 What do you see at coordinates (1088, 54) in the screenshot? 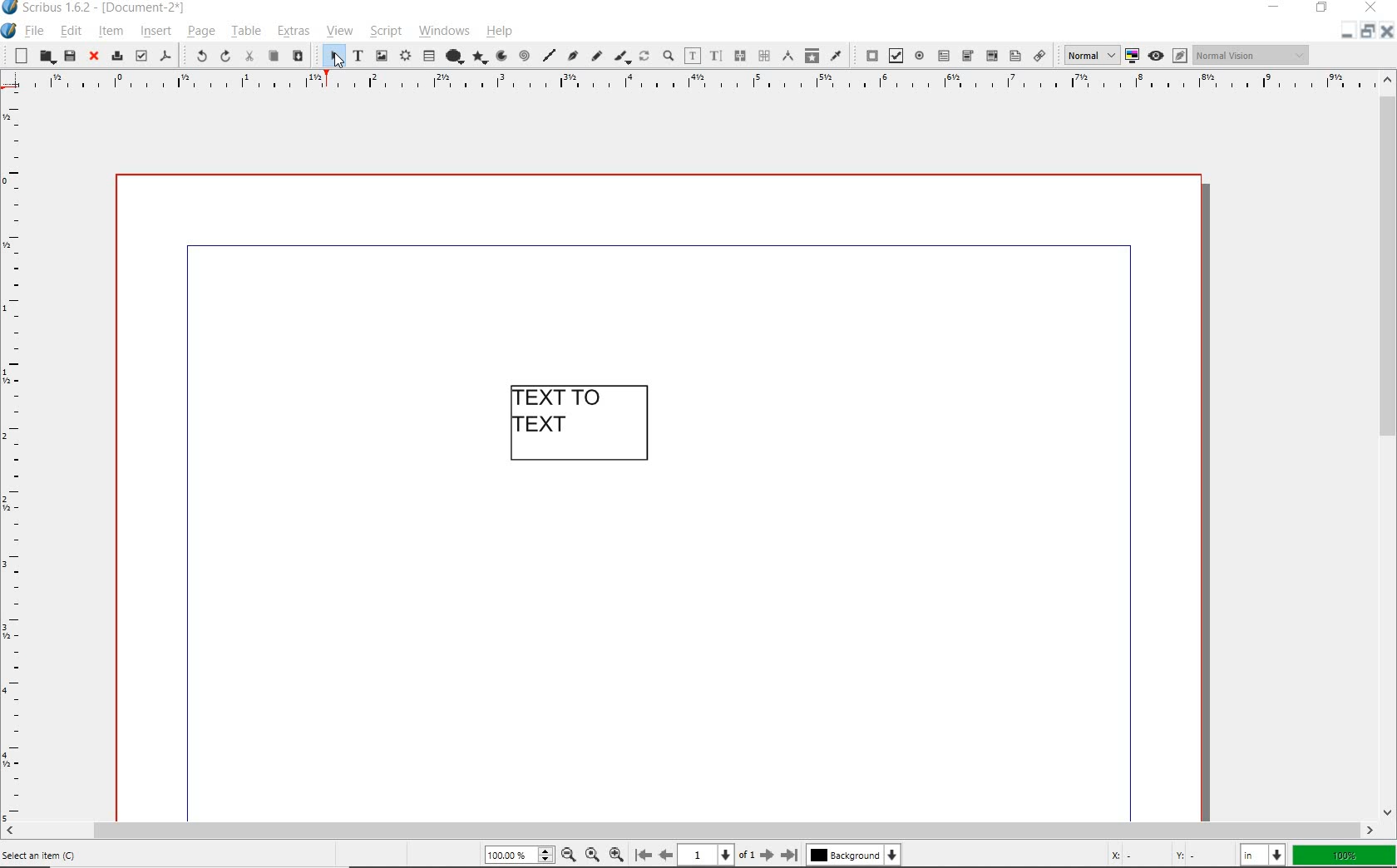
I see `select image preview quality` at bounding box center [1088, 54].